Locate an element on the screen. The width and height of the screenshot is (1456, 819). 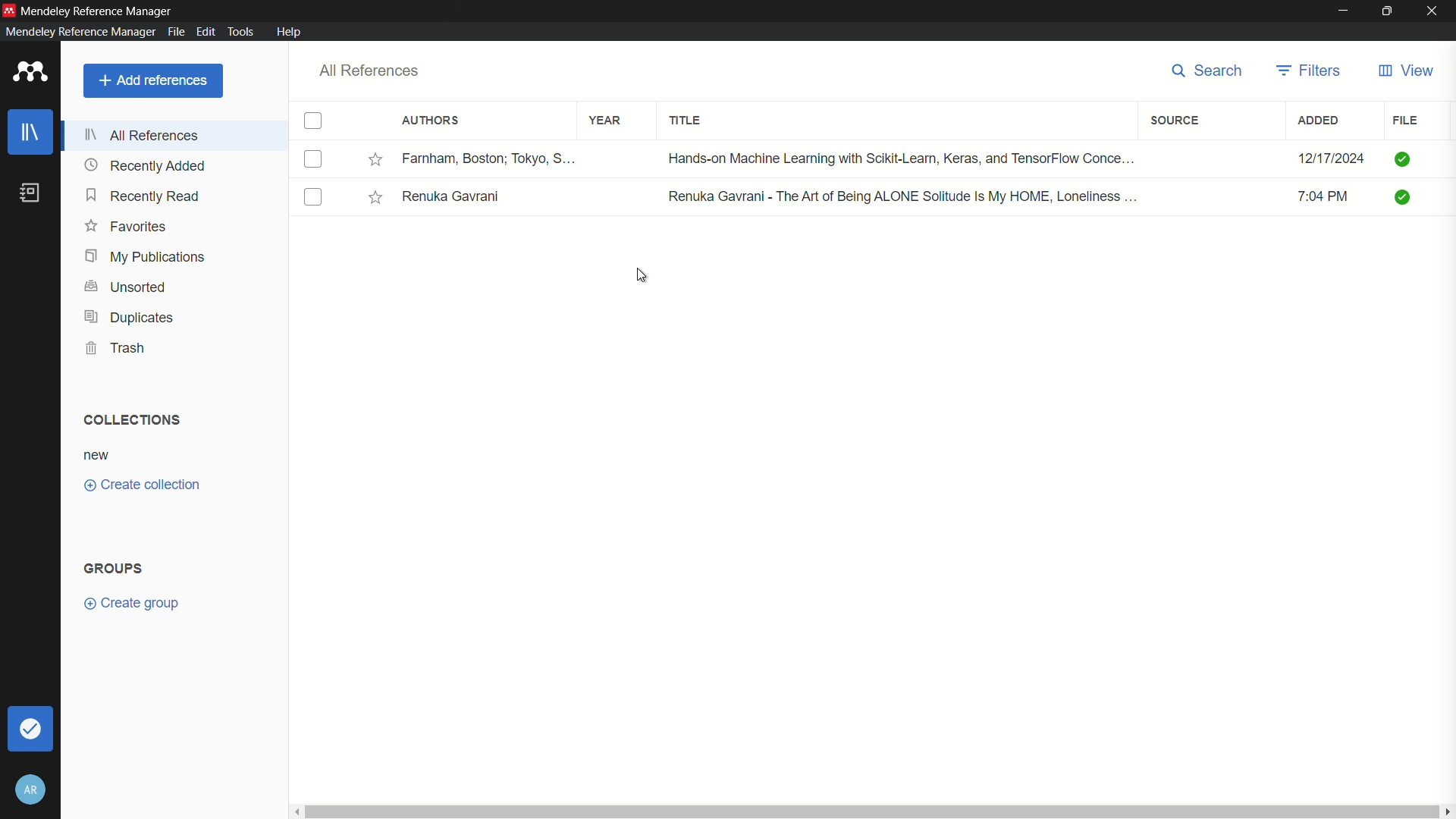
new is located at coordinates (98, 456).